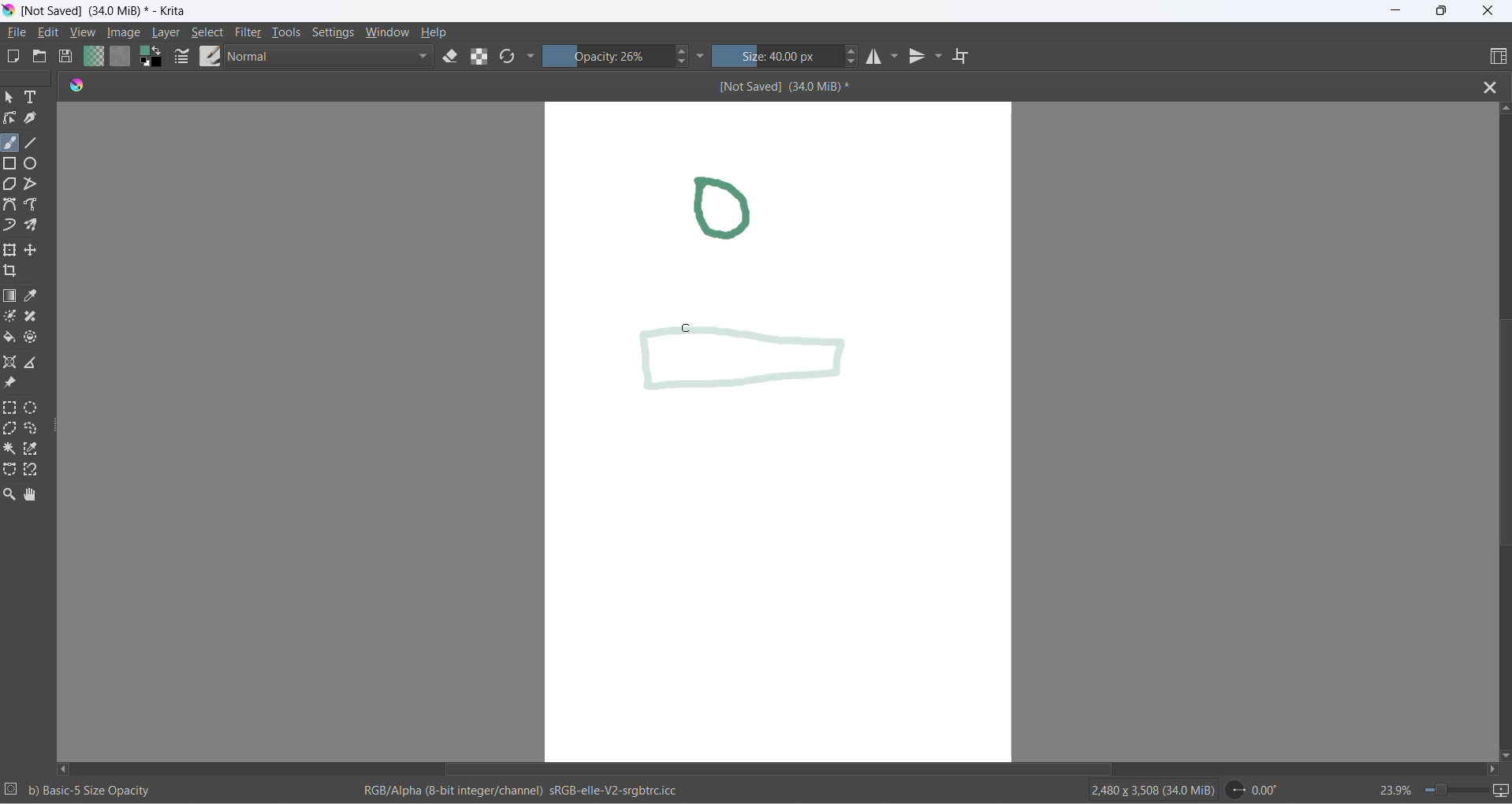 The width and height of the screenshot is (1512, 804). Describe the element at coordinates (12, 790) in the screenshot. I see `selection setting` at that location.